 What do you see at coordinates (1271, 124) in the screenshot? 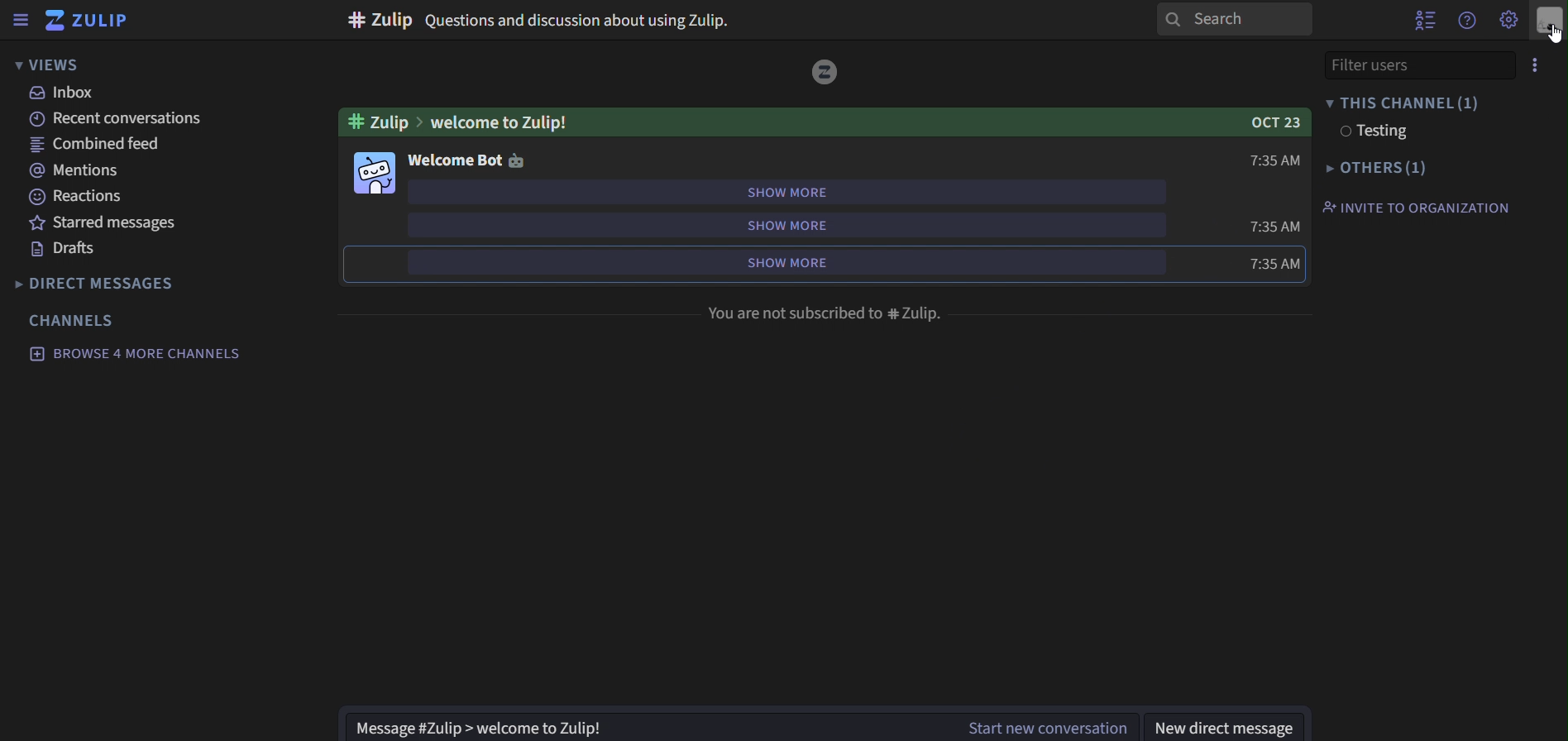
I see `Oct 23` at bounding box center [1271, 124].